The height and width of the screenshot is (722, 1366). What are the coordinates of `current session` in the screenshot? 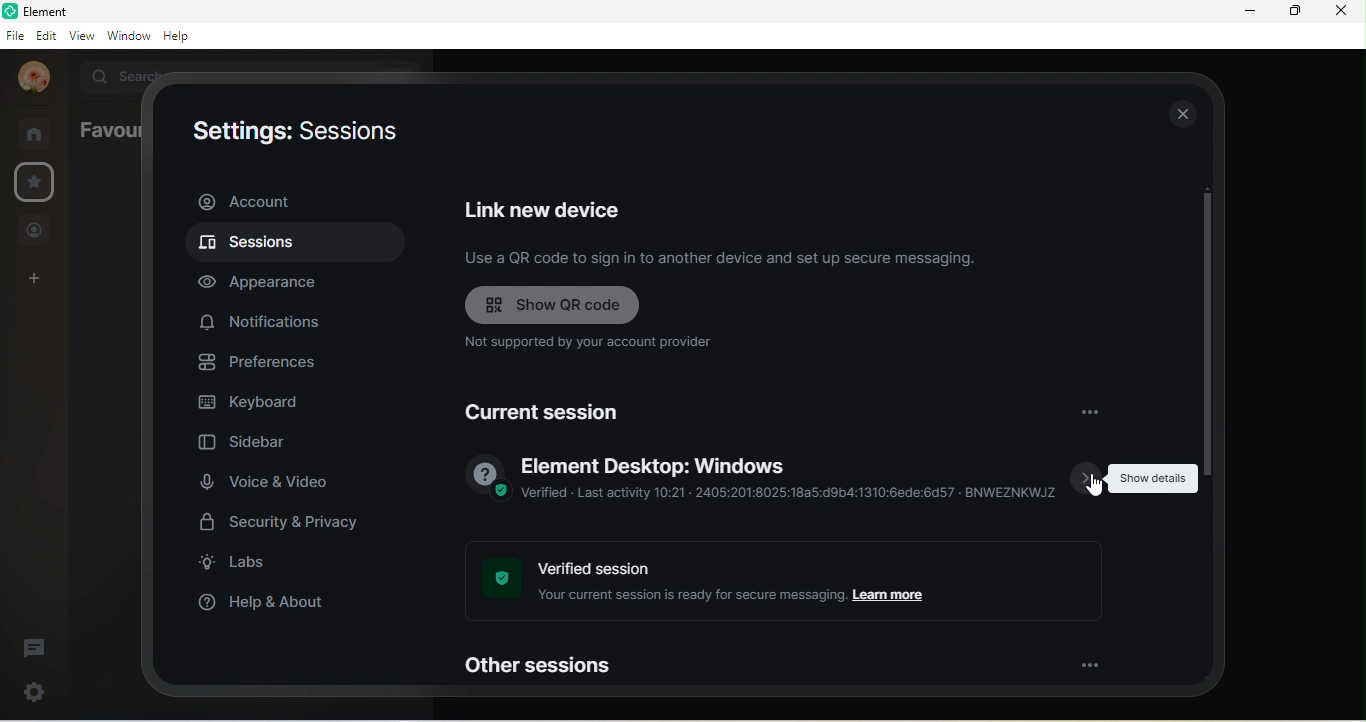 It's located at (550, 415).